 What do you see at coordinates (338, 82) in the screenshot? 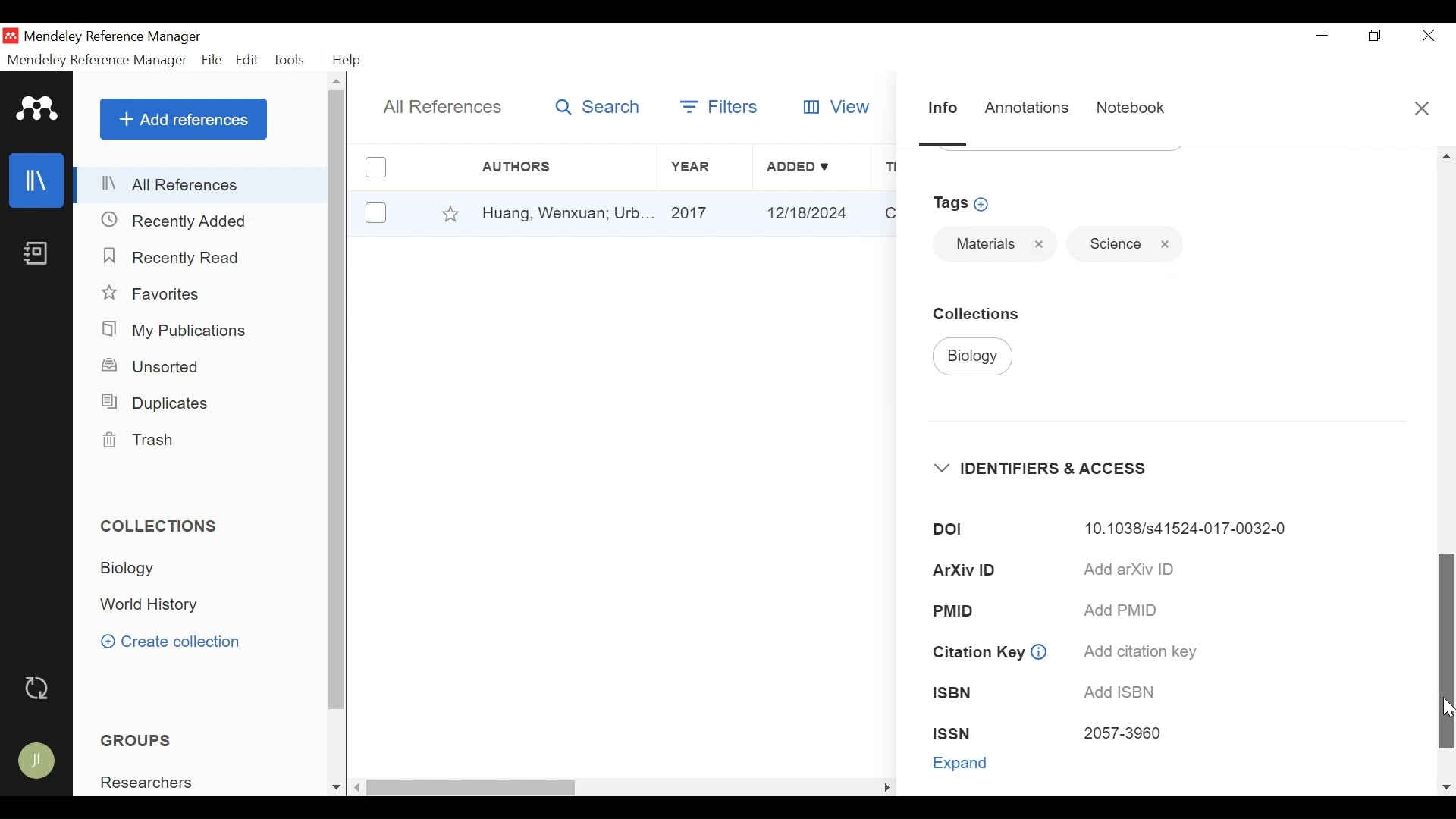
I see `Scroll up` at bounding box center [338, 82].